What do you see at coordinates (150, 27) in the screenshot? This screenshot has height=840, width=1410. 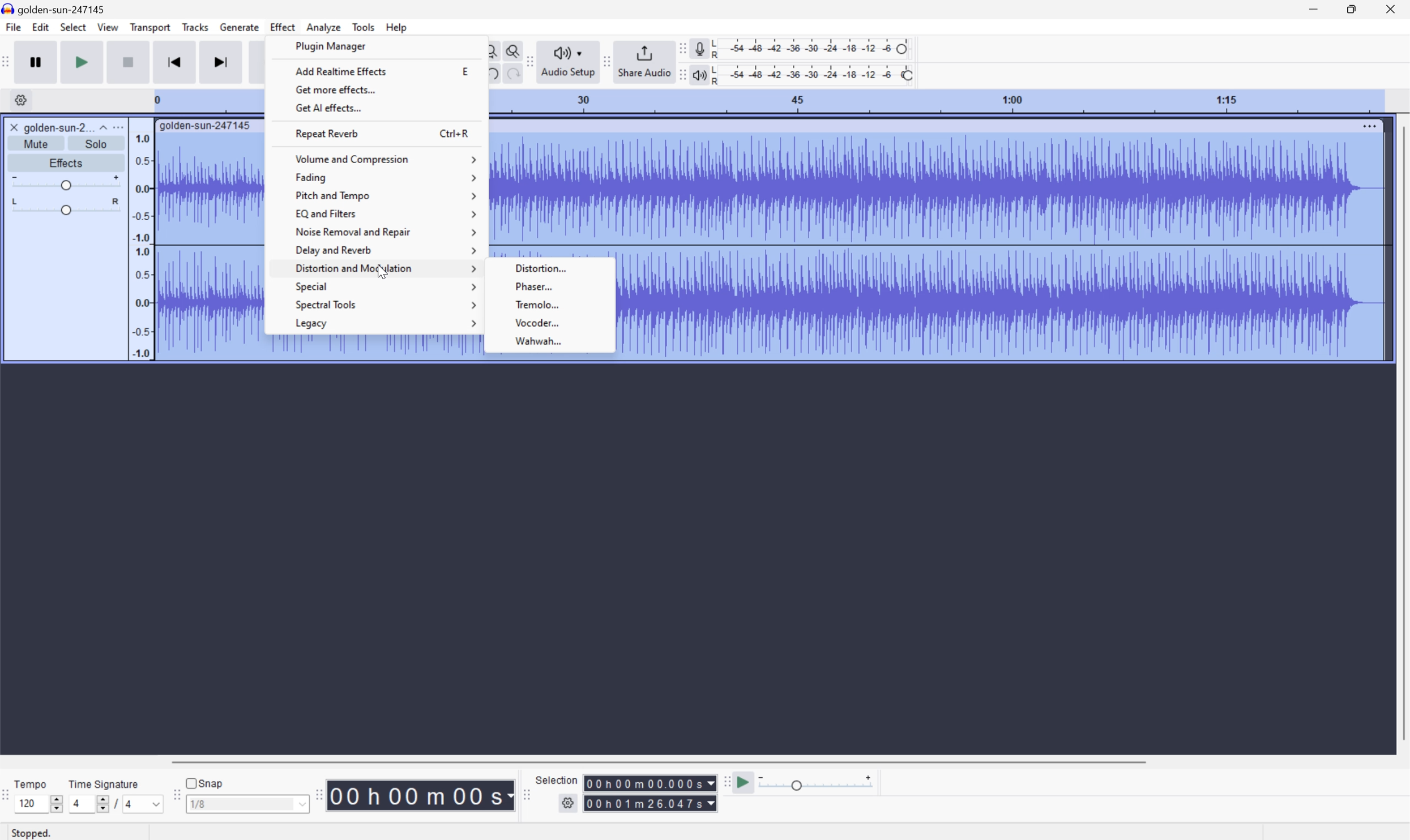 I see `Transport` at bounding box center [150, 27].